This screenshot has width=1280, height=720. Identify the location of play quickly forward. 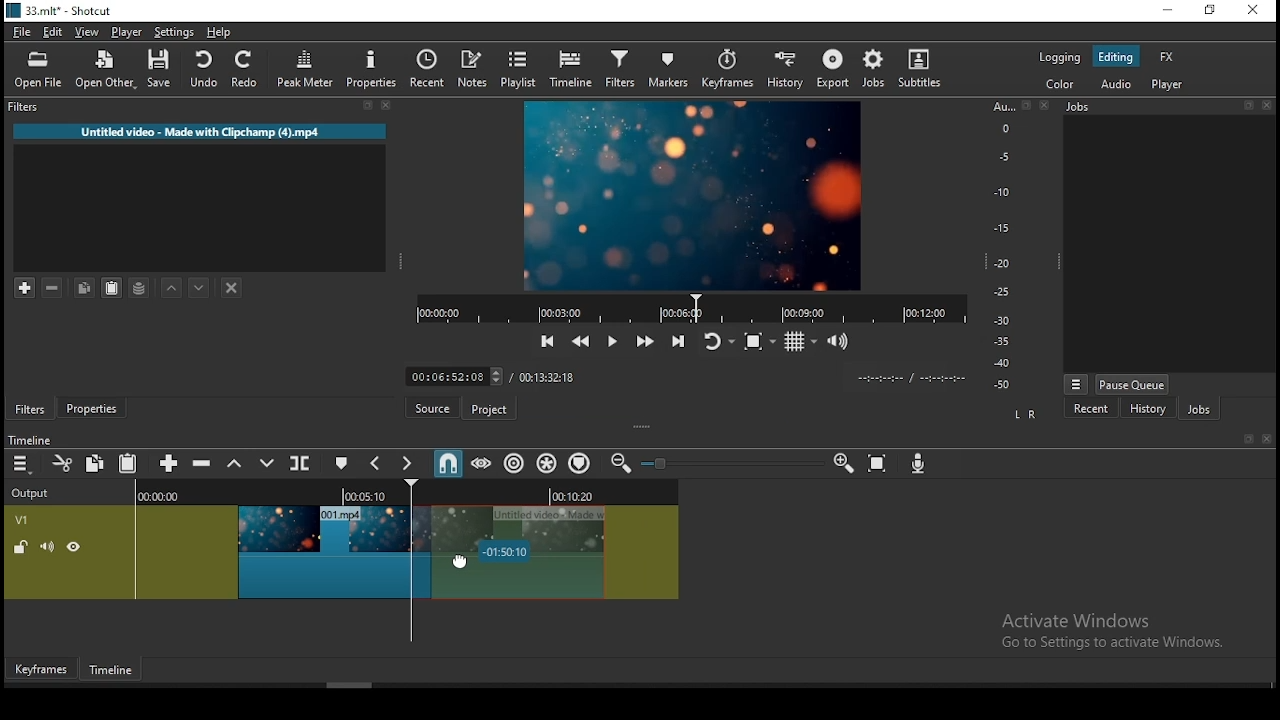
(641, 338).